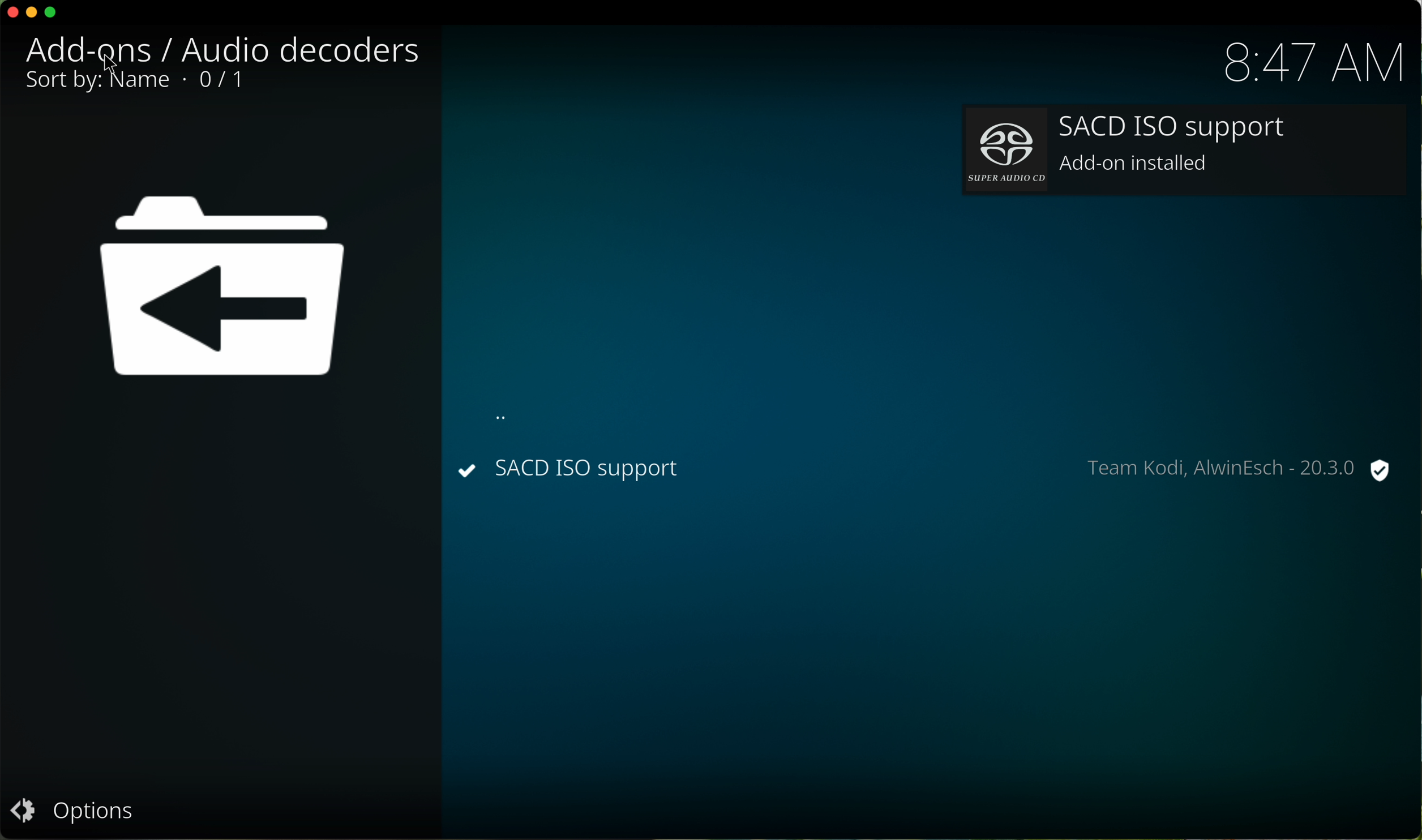 The image size is (1422, 840). What do you see at coordinates (303, 48) in the screenshot?
I see `audio decoders` at bounding box center [303, 48].